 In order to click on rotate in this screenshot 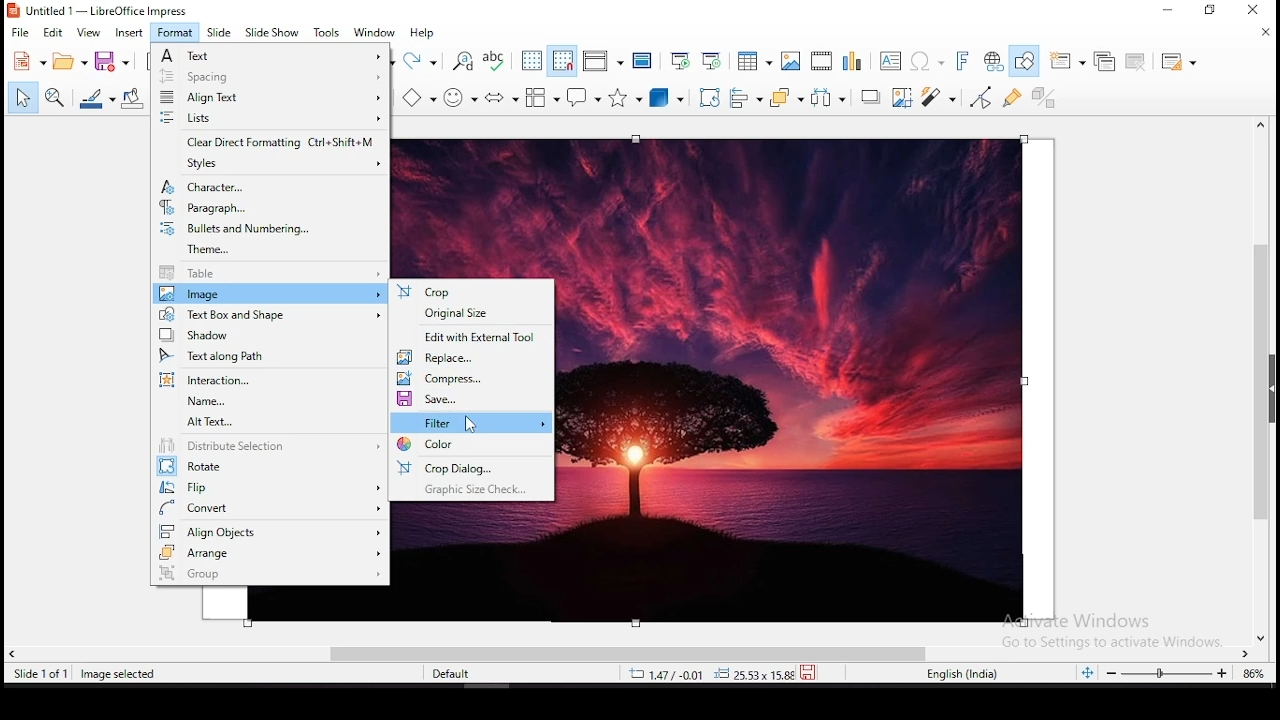, I will do `click(272, 467)`.